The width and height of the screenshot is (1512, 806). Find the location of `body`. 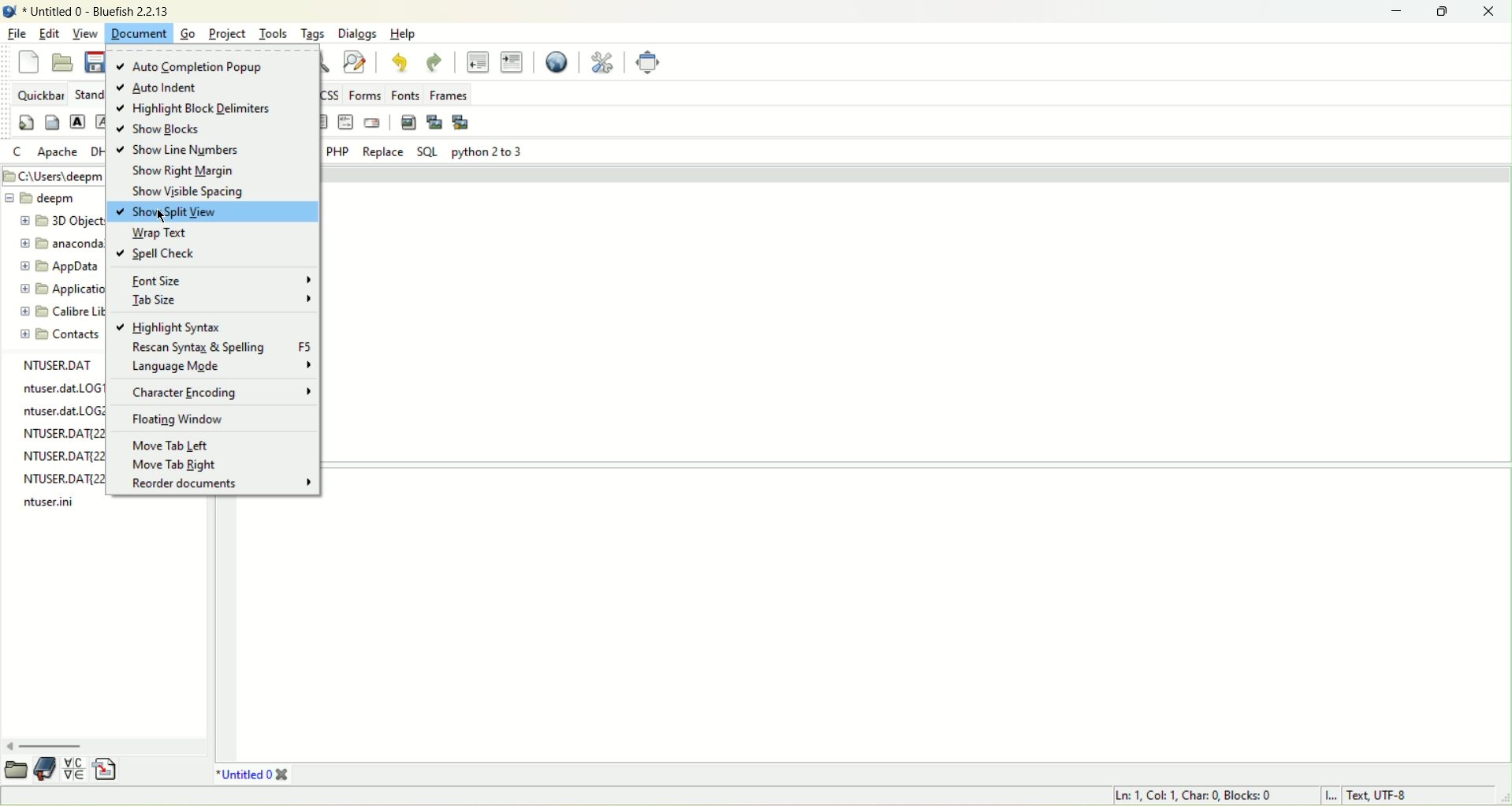

body is located at coordinates (54, 123).